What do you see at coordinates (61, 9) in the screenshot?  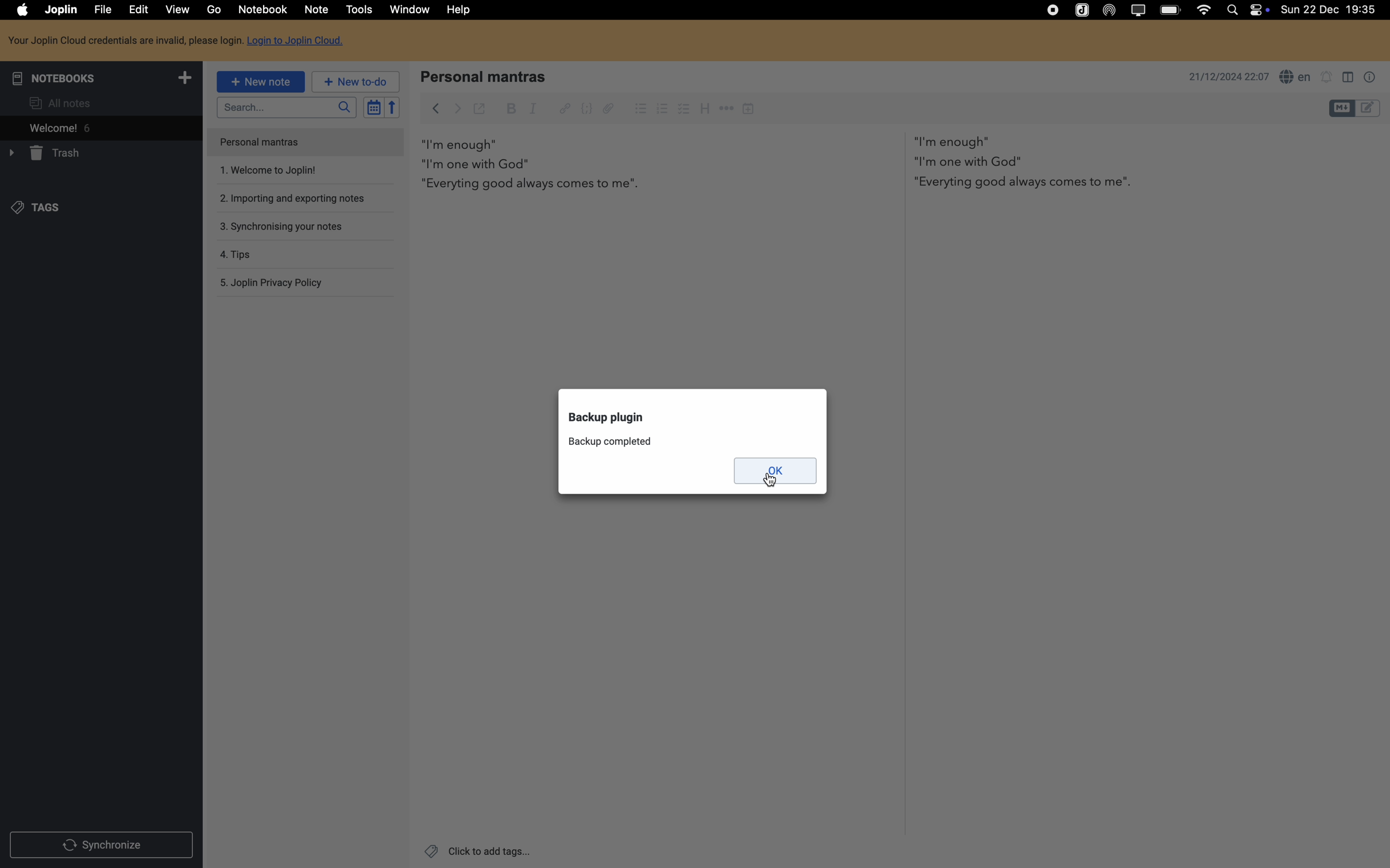 I see `Joplin` at bounding box center [61, 9].